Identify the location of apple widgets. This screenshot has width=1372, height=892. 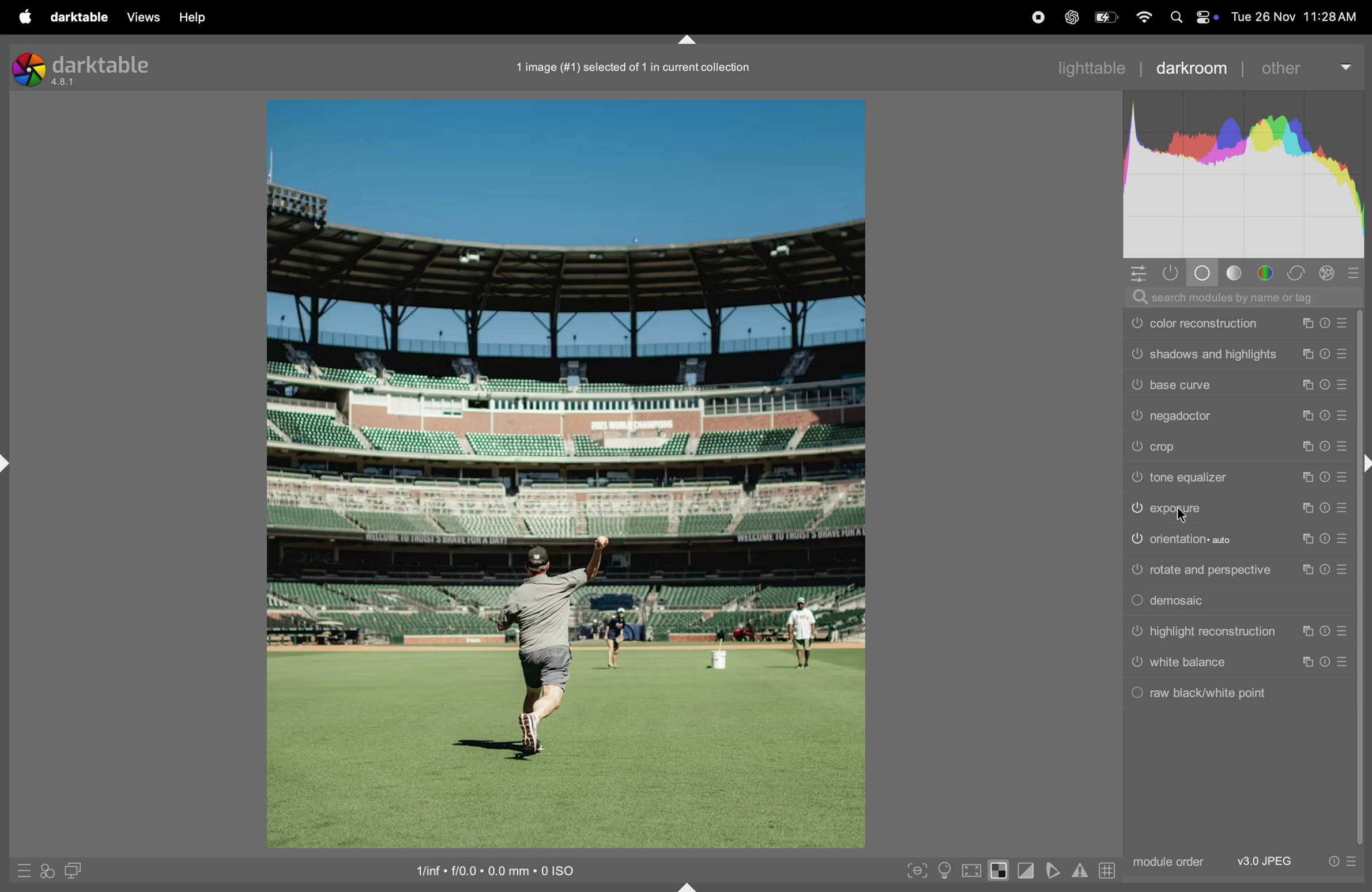
(1193, 17).